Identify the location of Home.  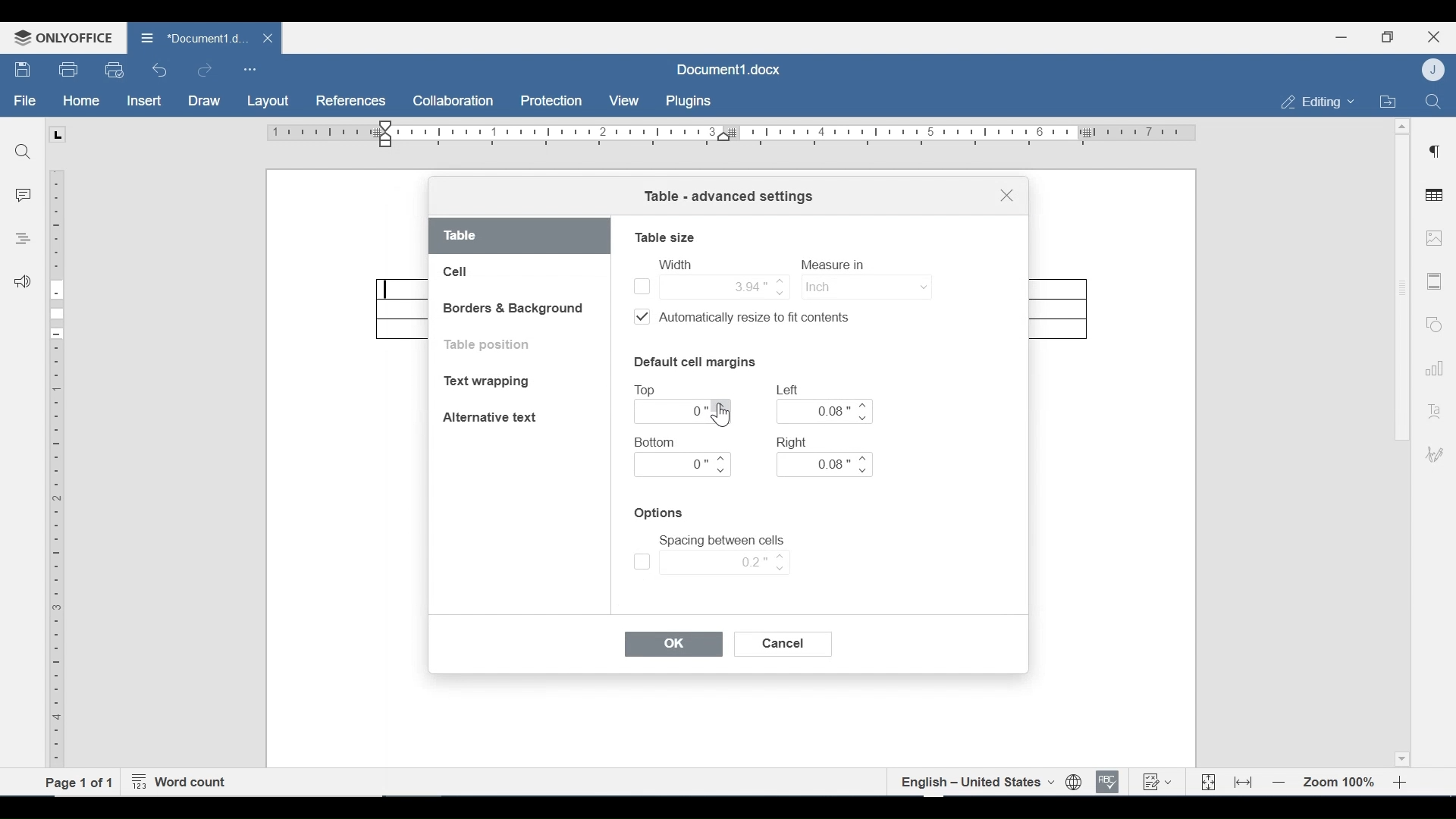
(81, 101).